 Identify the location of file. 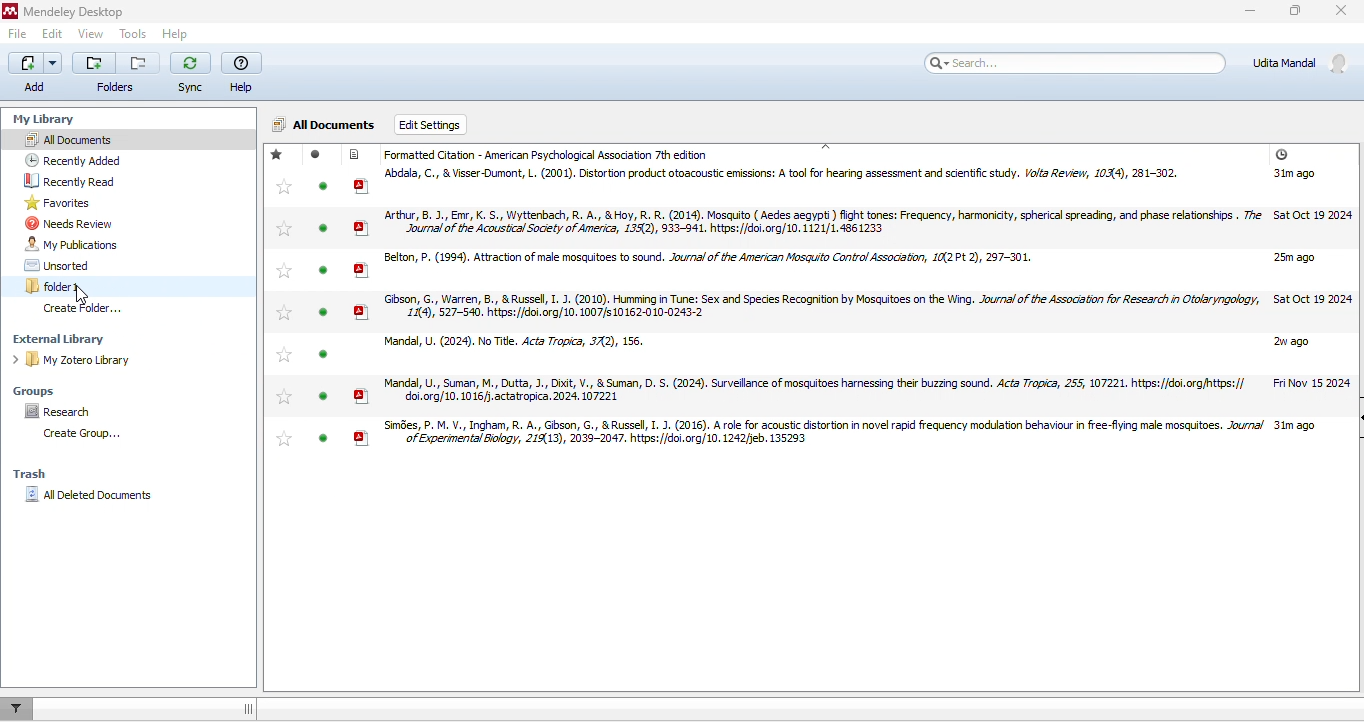
(17, 34).